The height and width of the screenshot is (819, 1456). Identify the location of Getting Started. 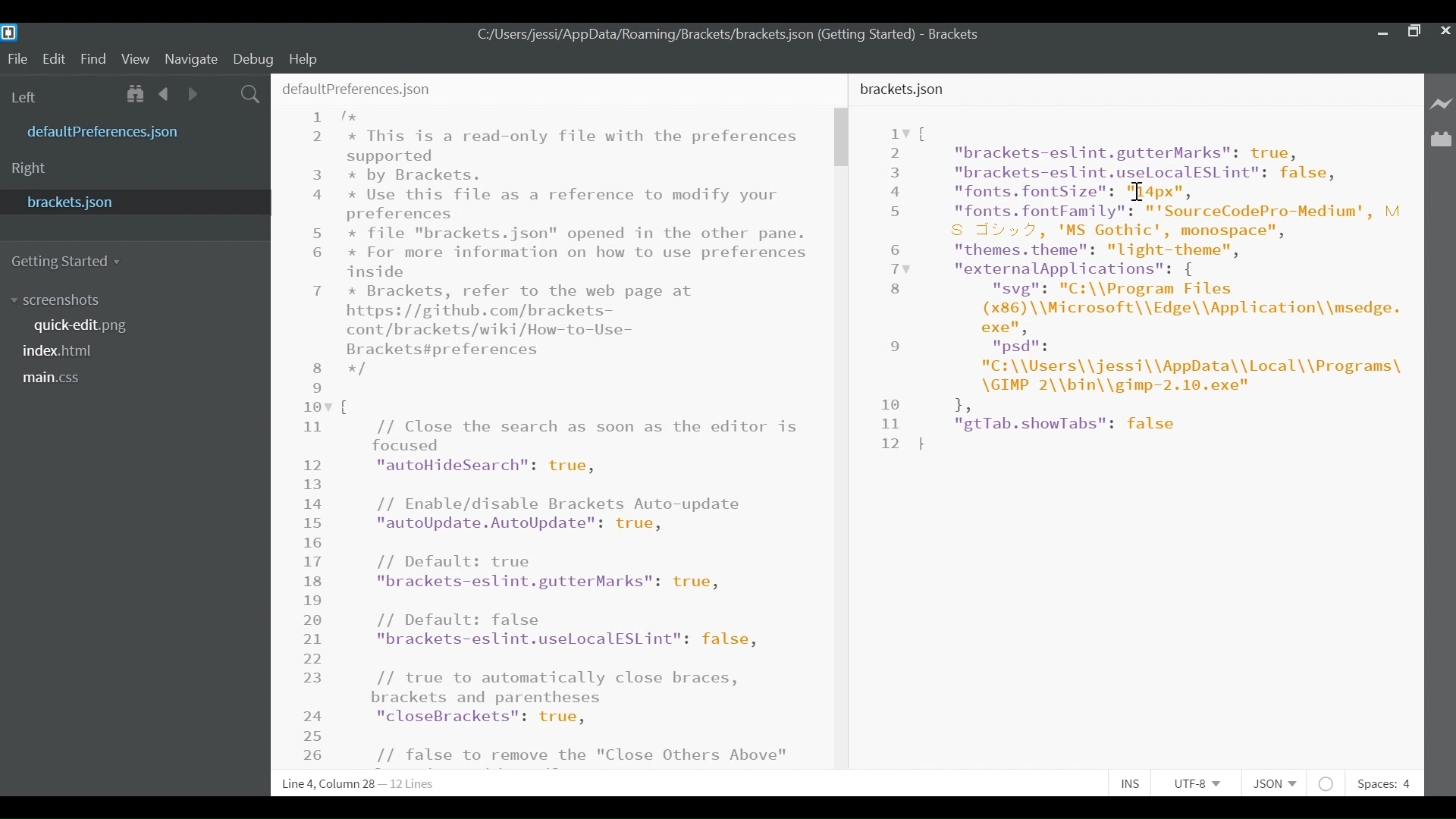
(69, 259).